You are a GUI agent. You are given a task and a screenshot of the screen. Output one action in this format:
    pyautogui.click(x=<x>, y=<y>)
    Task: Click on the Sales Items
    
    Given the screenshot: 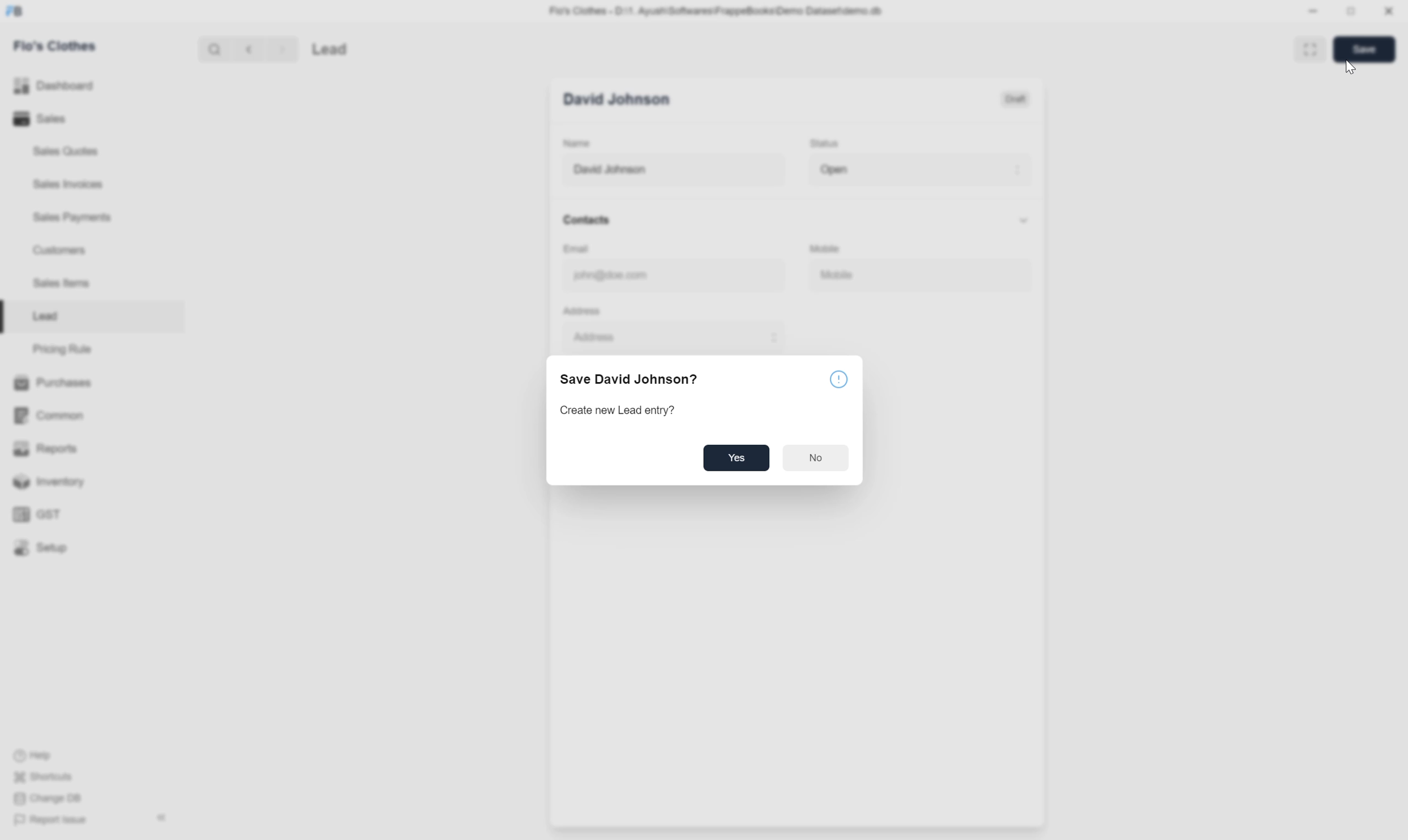 What is the action you would take?
    pyautogui.click(x=66, y=286)
    